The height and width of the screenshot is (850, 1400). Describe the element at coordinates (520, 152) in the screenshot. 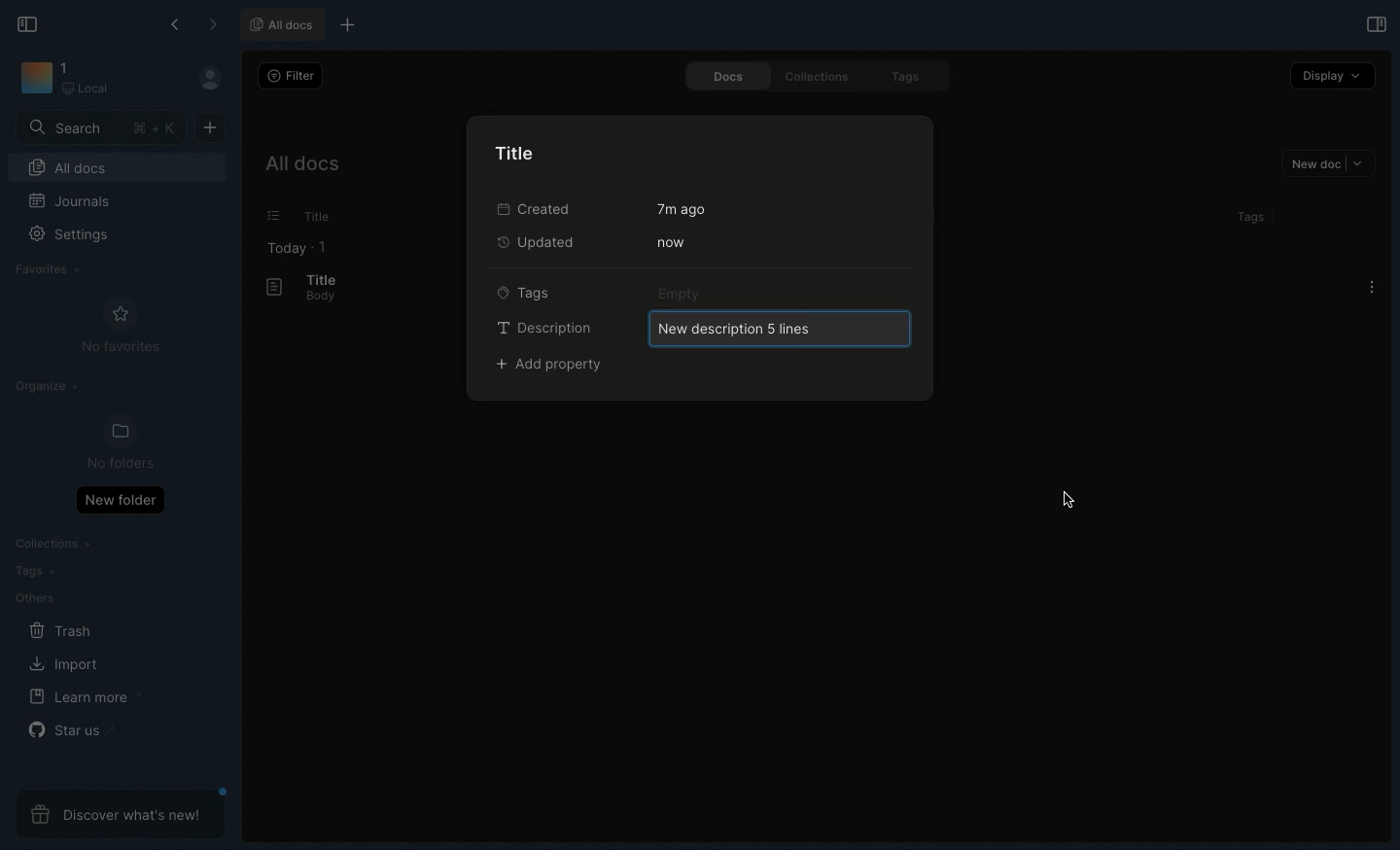

I see `Title` at that location.